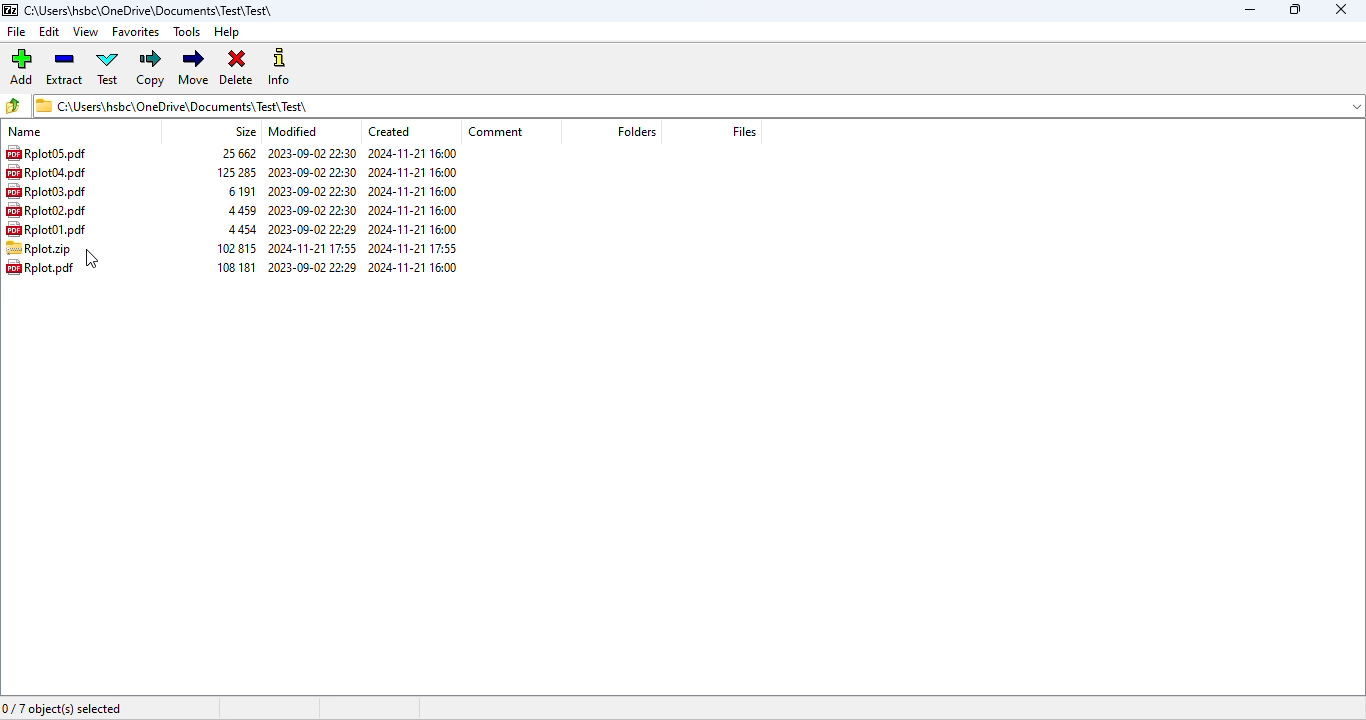 Image resolution: width=1366 pixels, height=720 pixels. What do you see at coordinates (50, 32) in the screenshot?
I see `edit` at bounding box center [50, 32].